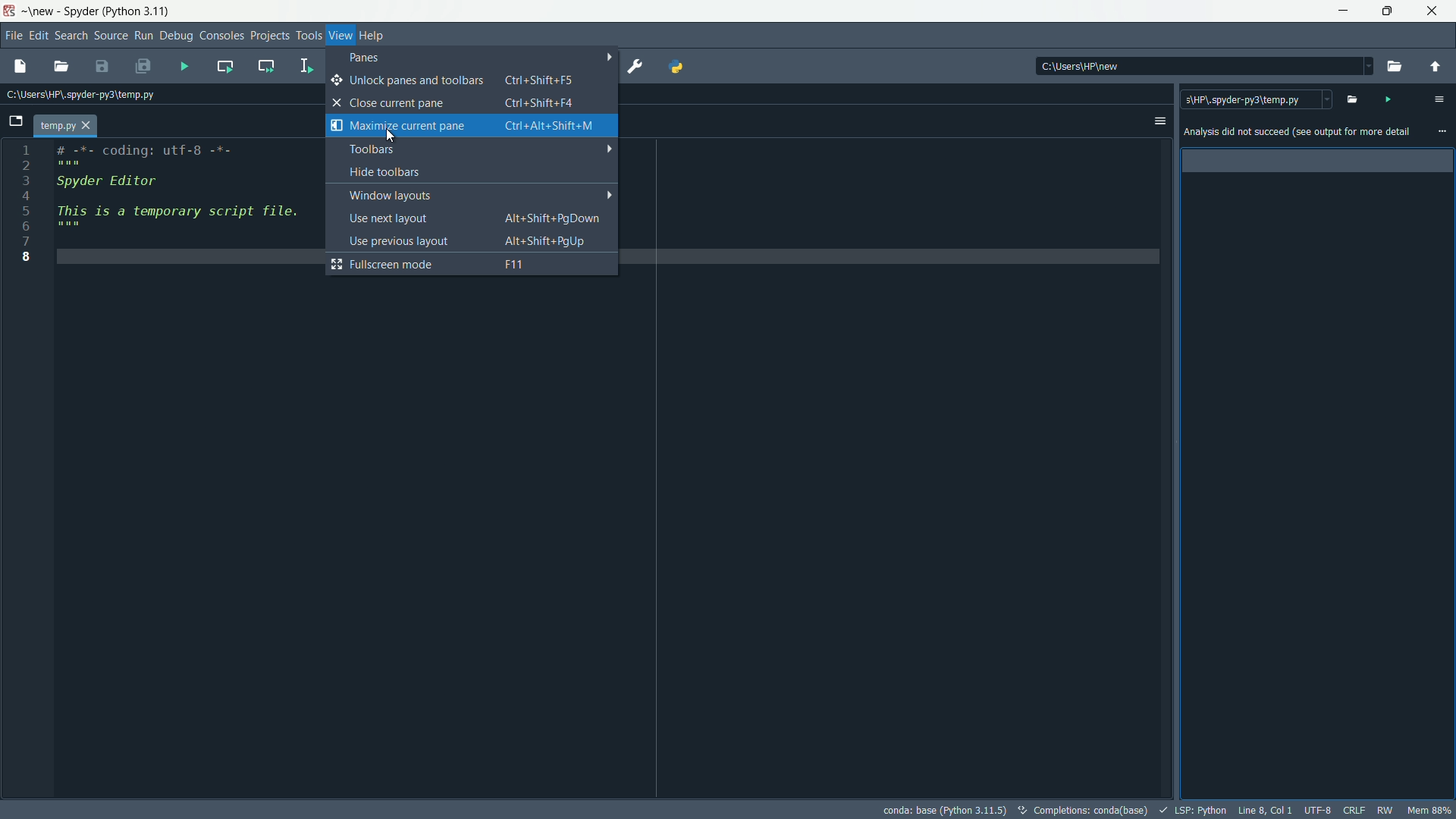 The height and width of the screenshot is (819, 1456). Describe the element at coordinates (66, 124) in the screenshot. I see `file name` at that location.